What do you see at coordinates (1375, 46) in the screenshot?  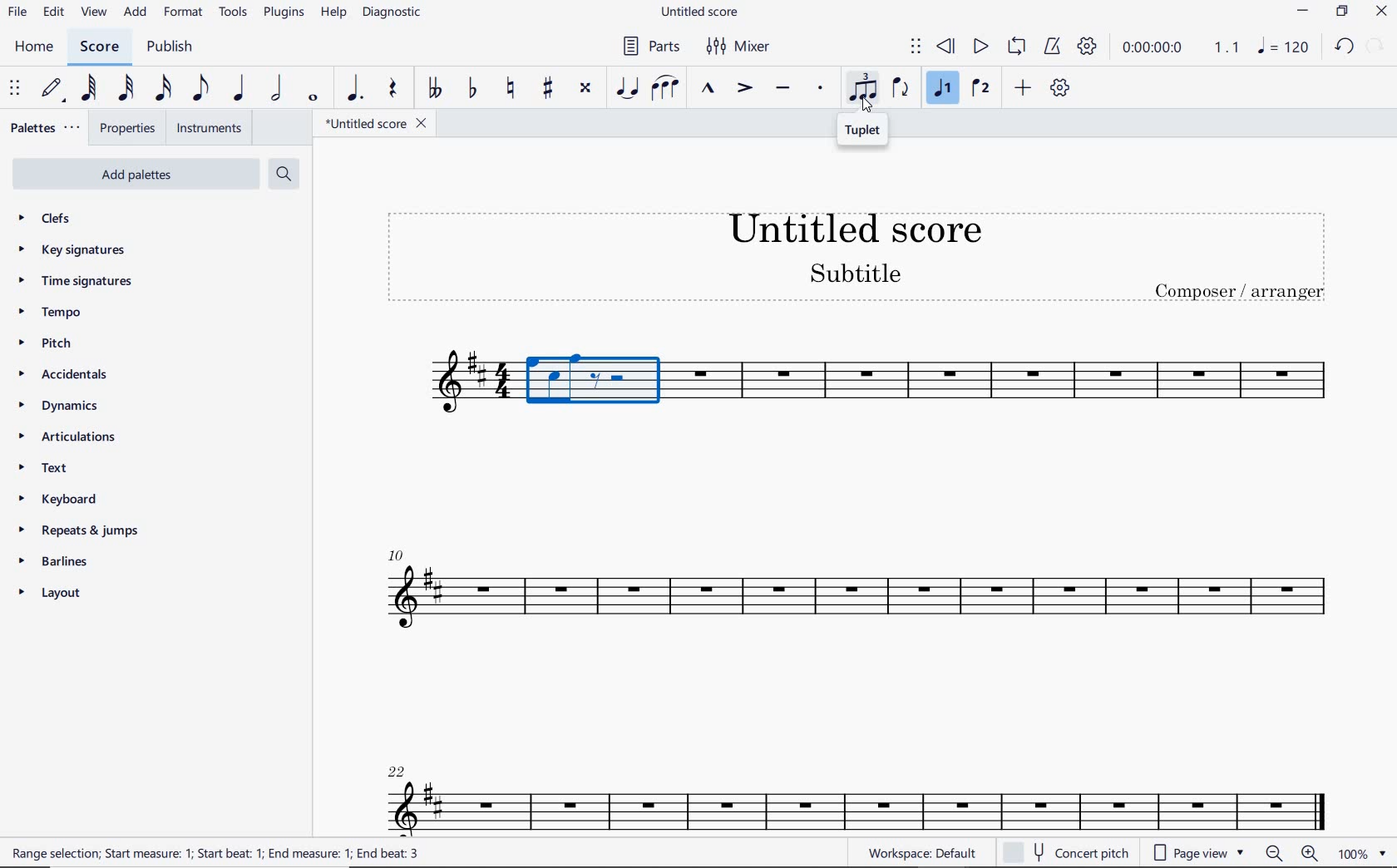 I see `REDO` at bounding box center [1375, 46].